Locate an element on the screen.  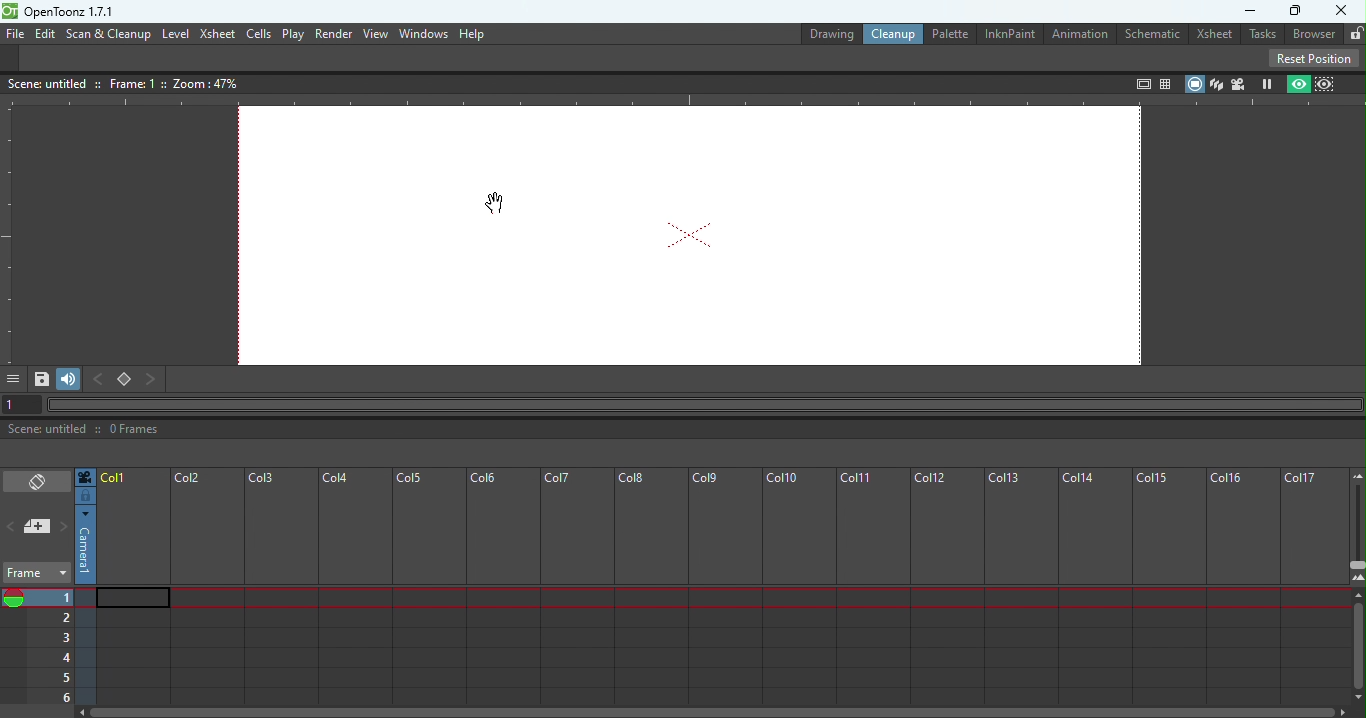
Soundtrack is located at coordinates (67, 374).